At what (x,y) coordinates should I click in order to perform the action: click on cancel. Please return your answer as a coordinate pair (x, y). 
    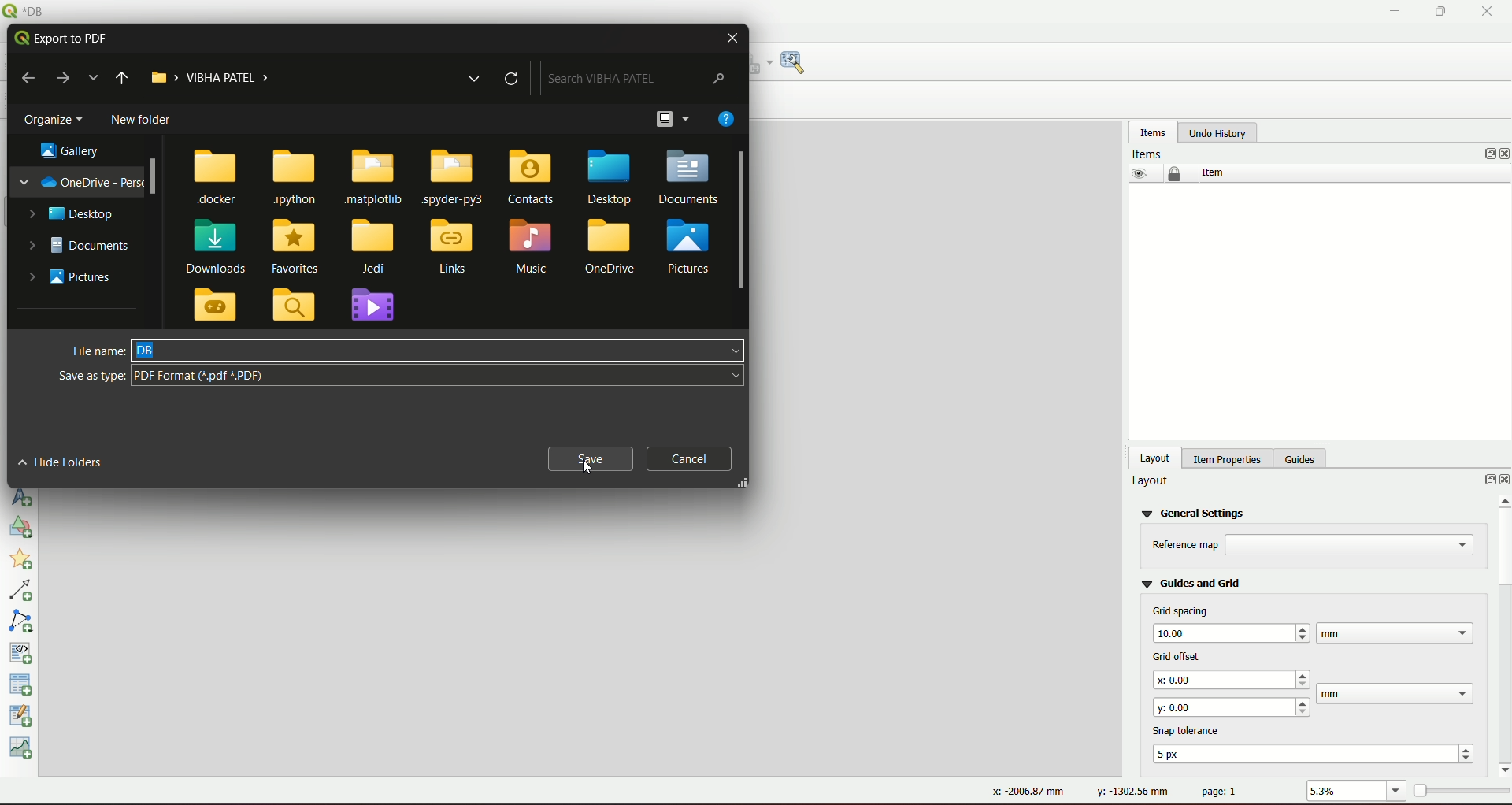
    Looking at the image, I should click on (691, 458).